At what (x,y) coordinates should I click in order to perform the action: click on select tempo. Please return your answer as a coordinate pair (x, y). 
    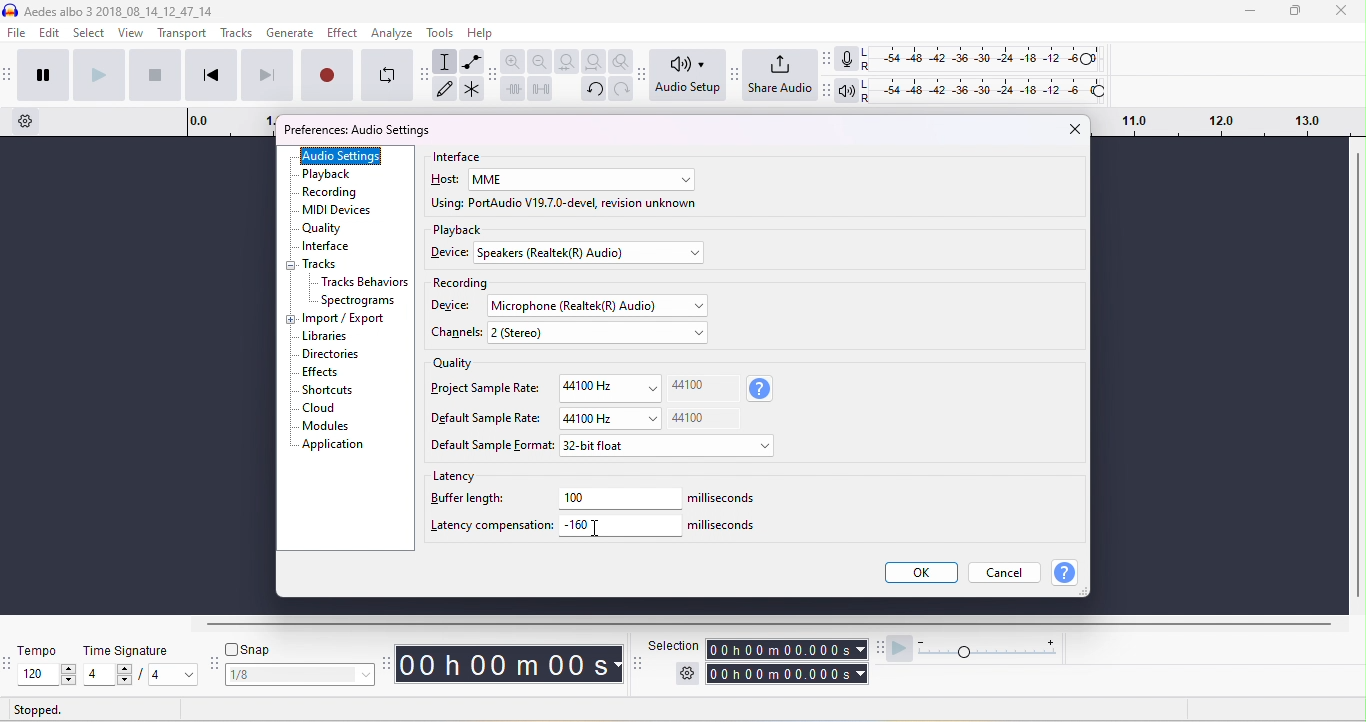
    Looking at the image, I should click on (46, 675).